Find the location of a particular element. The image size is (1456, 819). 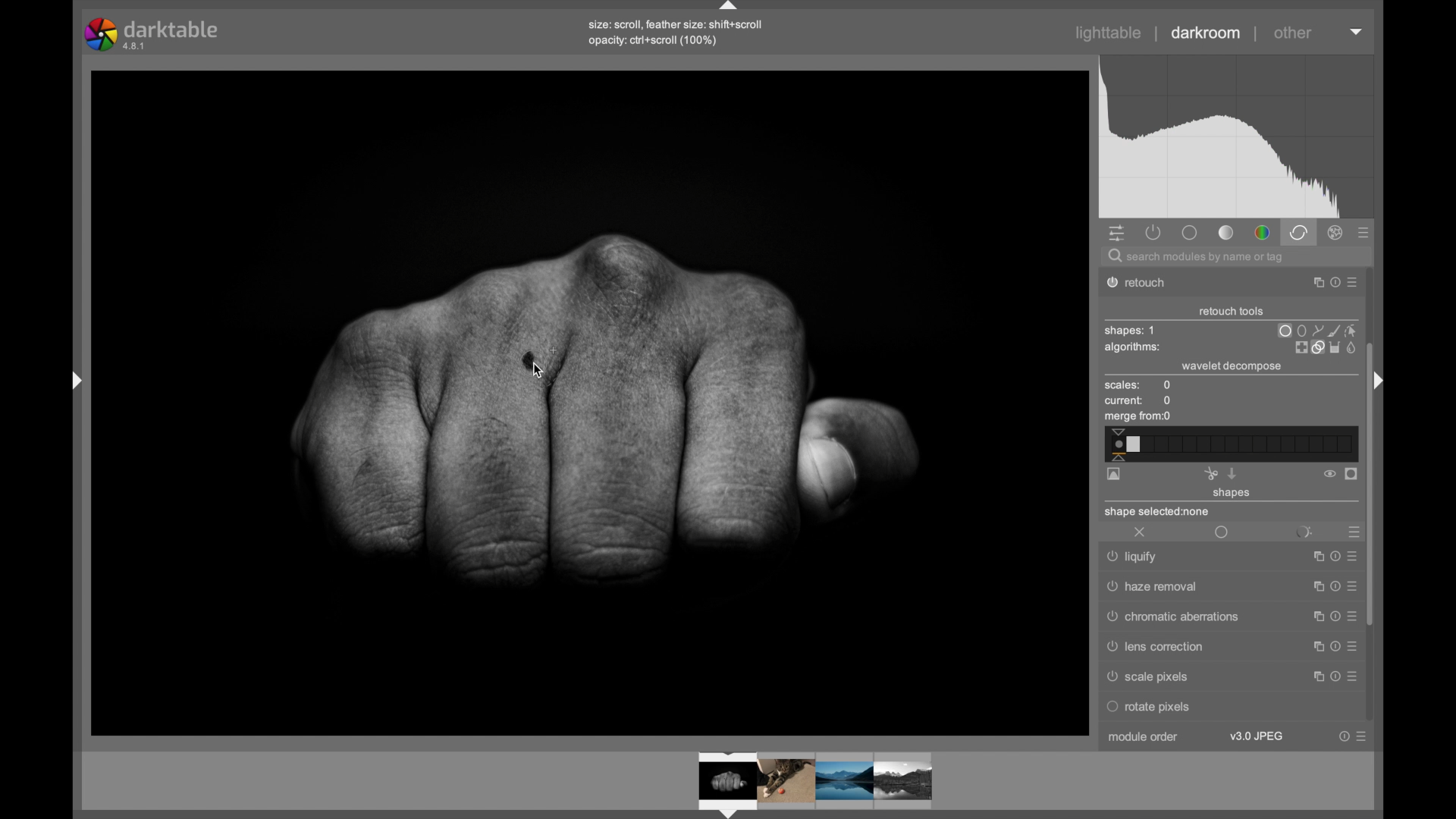

wavelet decompose is located at coordinates (1232, 366).